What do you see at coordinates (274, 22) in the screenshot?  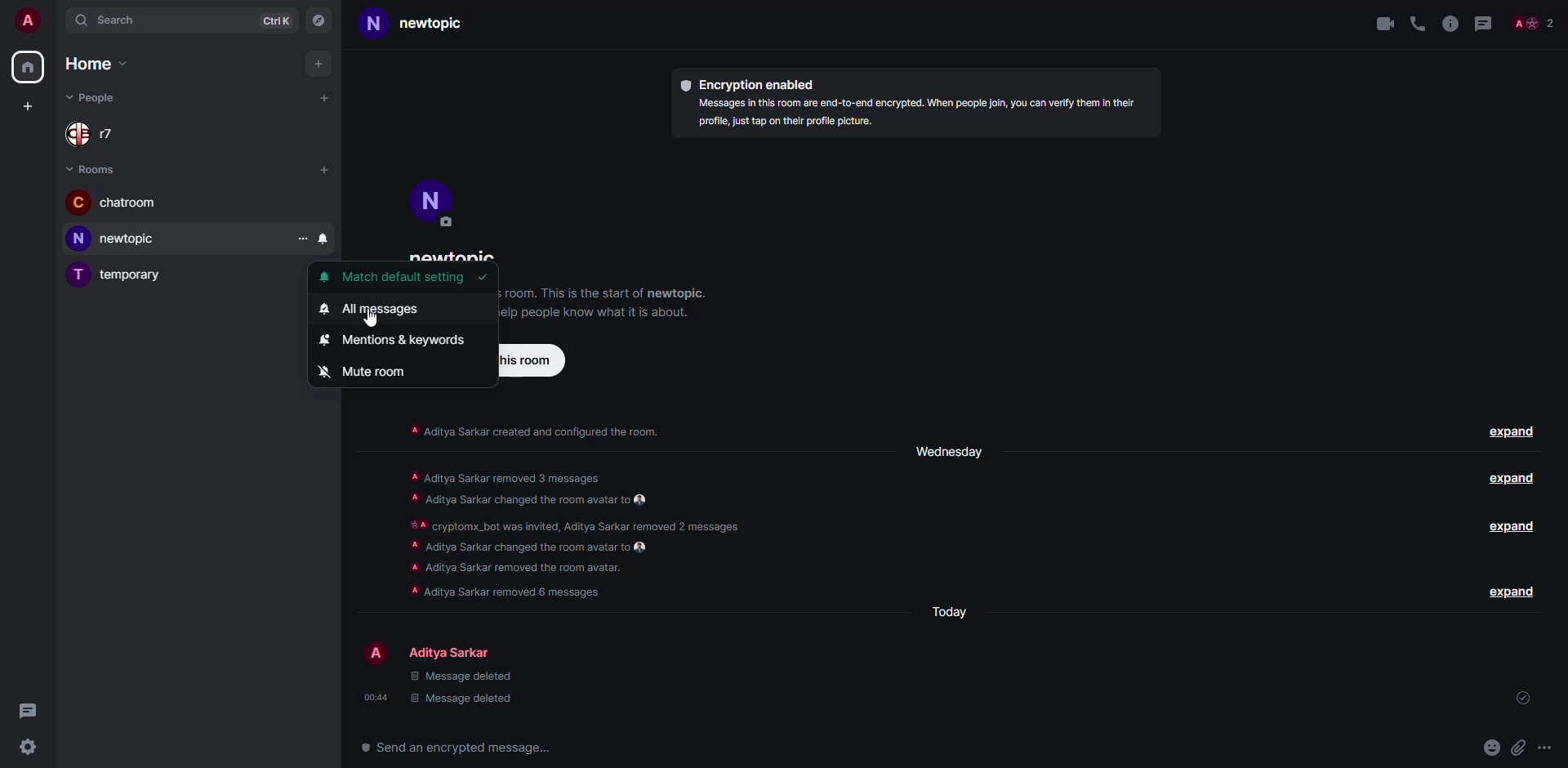 I see `ctrlK` at bounding box center [274, 22].